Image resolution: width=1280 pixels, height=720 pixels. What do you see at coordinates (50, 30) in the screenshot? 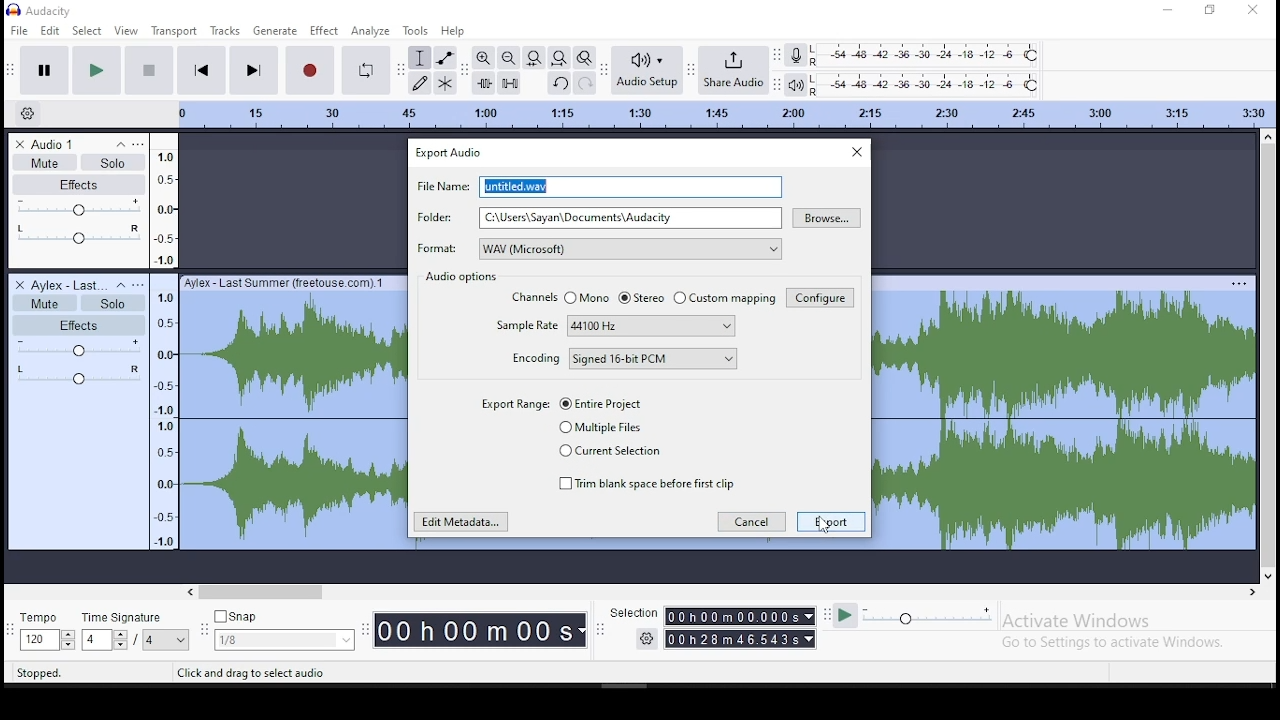
I see `edit` at bounding box center [50, 30].